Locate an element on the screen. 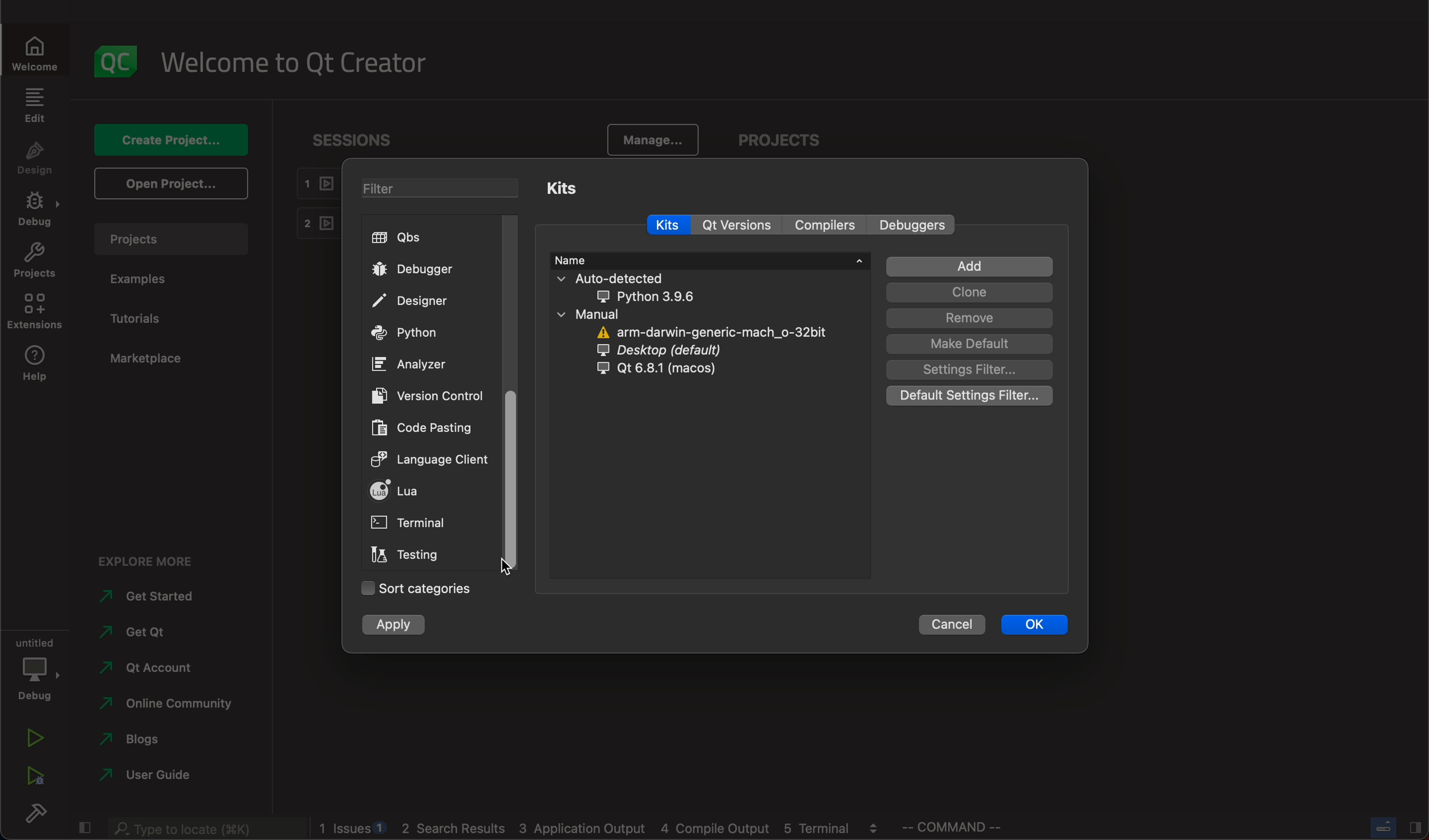  get qt is located at coordinates (150, 634).